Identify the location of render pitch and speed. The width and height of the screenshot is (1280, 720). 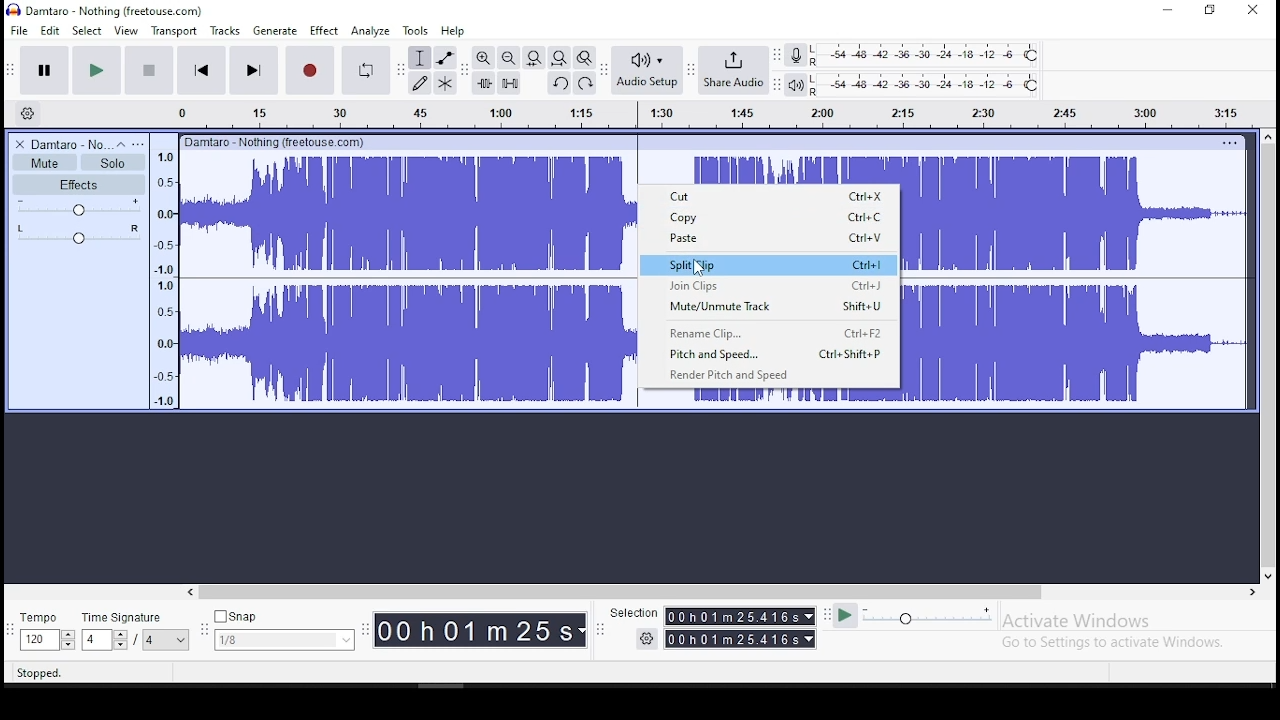
(732, 374).